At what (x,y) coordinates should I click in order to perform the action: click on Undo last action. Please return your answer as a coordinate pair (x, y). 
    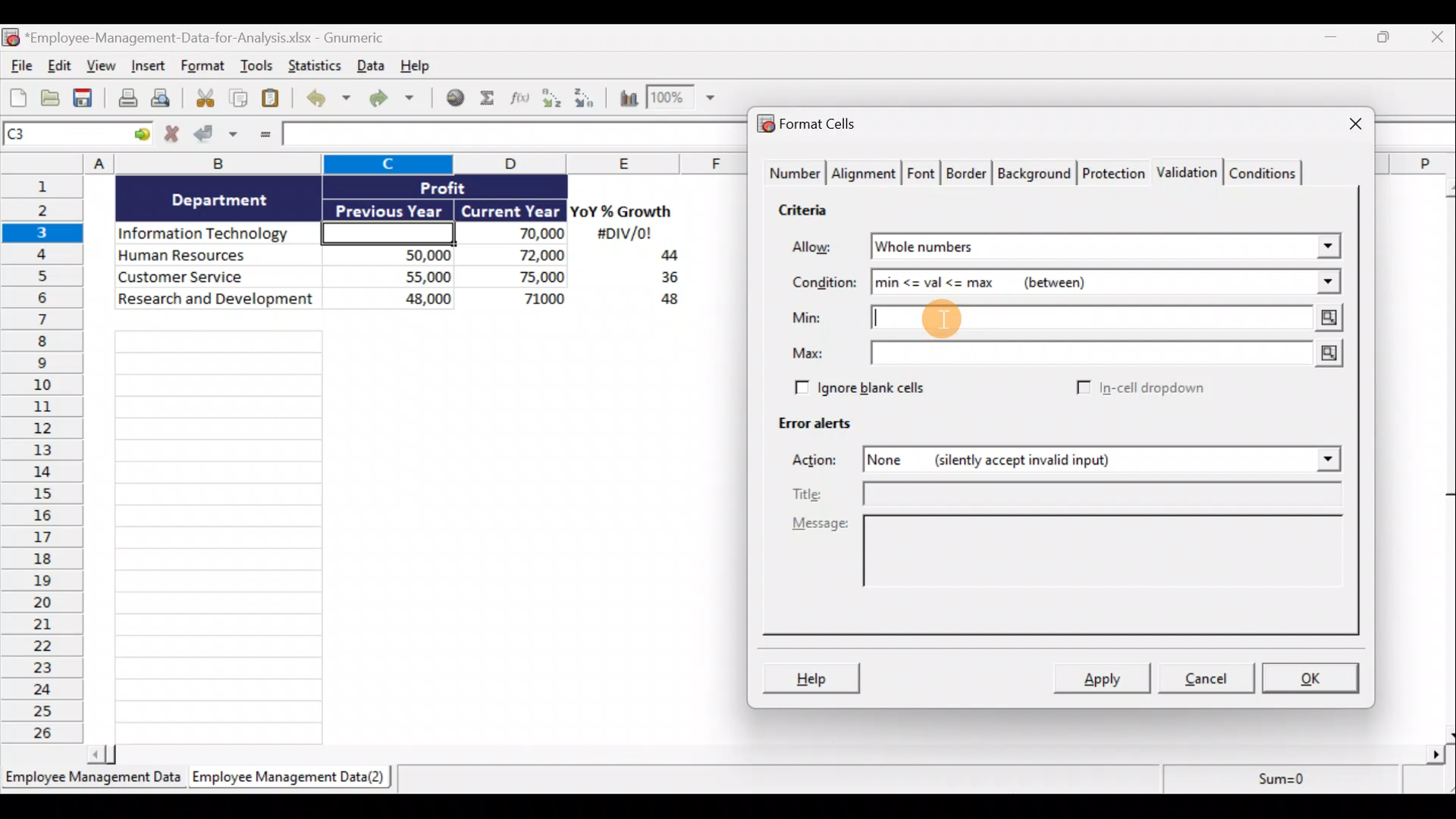
    Looking at the image, I should click on (331, 99).